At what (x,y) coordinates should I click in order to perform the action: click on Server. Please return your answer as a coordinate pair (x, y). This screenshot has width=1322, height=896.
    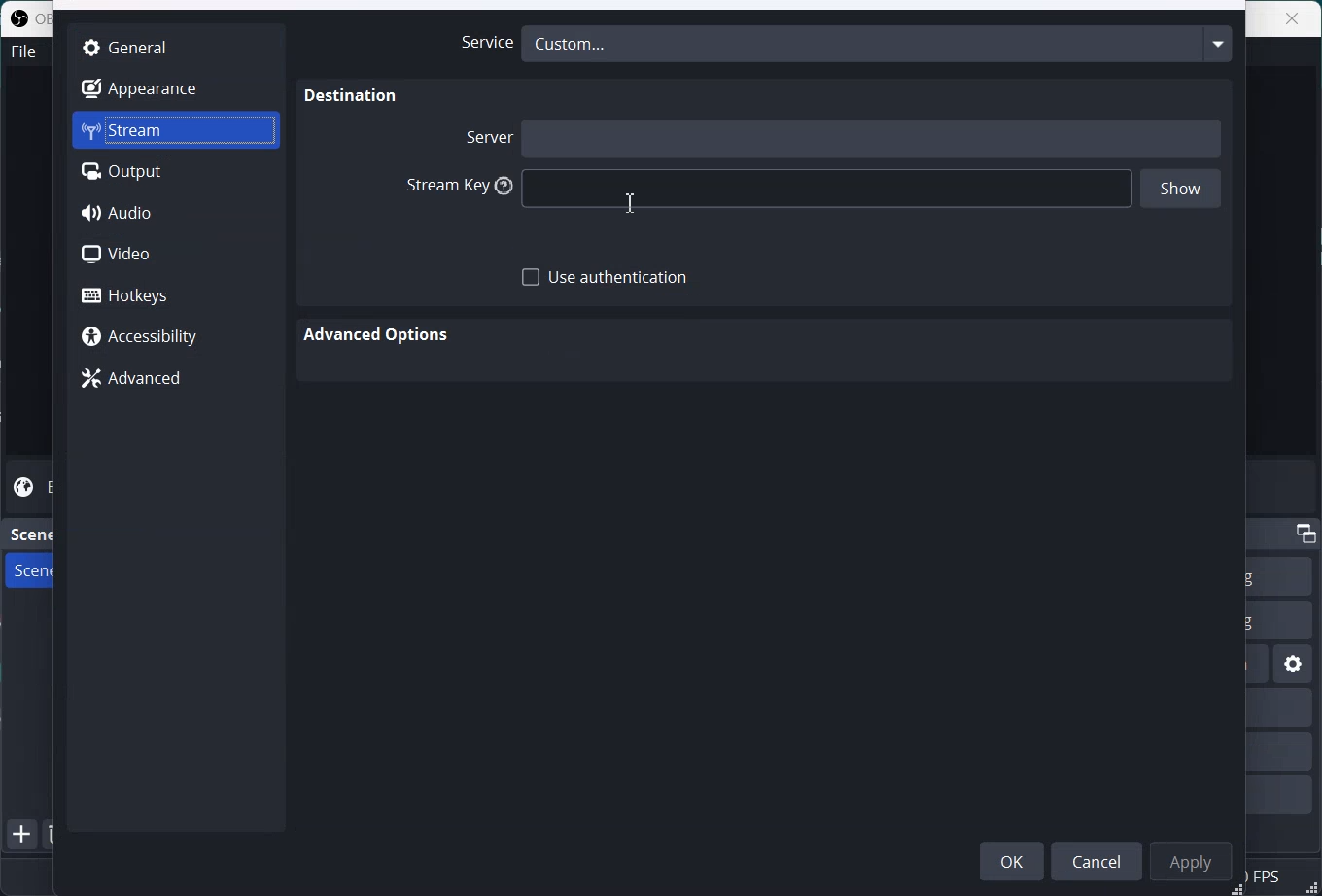
    Looking at the image, I should click on (486, 136).